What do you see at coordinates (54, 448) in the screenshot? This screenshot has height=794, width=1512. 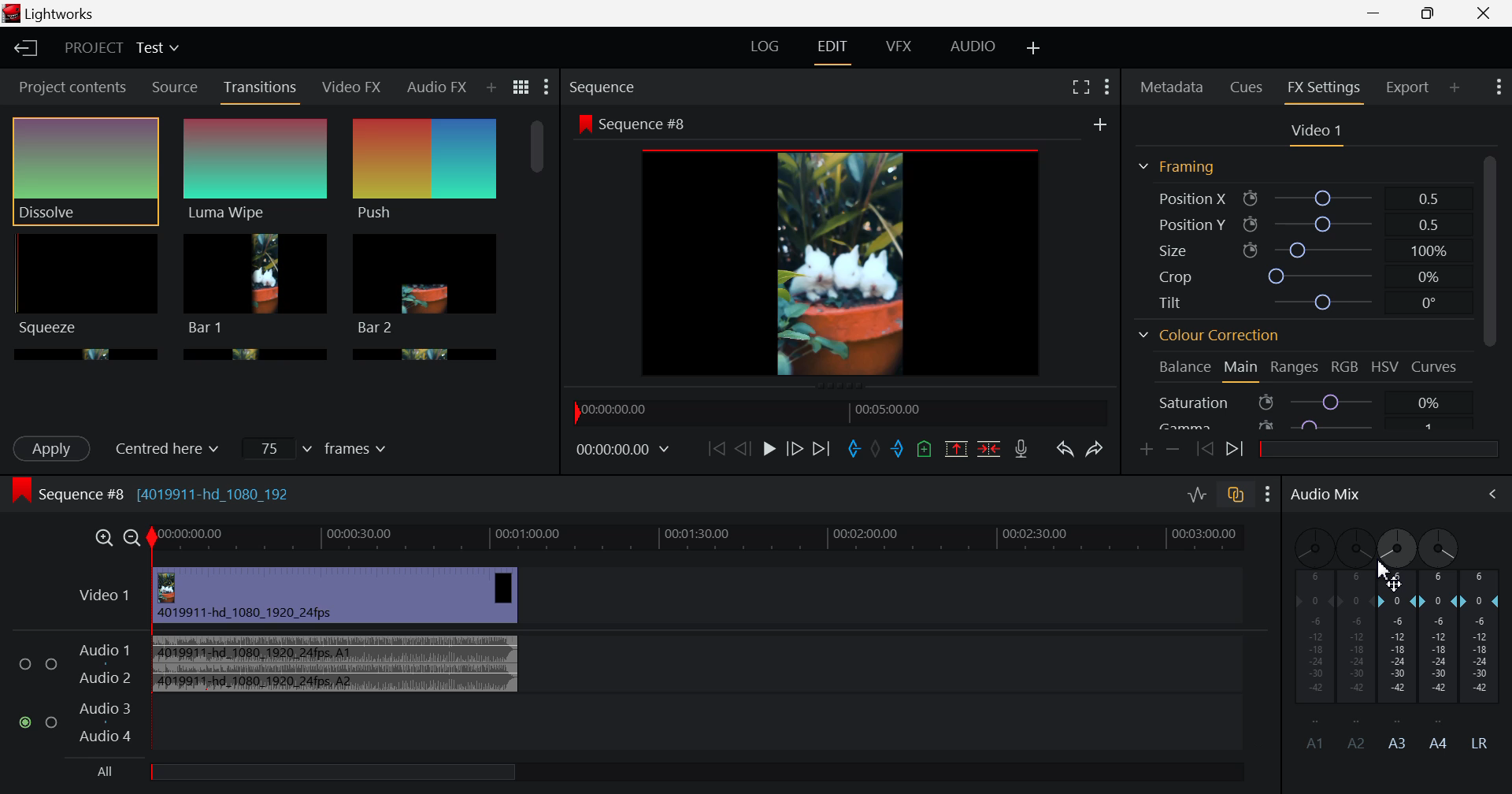 I see `Apply` at bounding box center [54, 448].